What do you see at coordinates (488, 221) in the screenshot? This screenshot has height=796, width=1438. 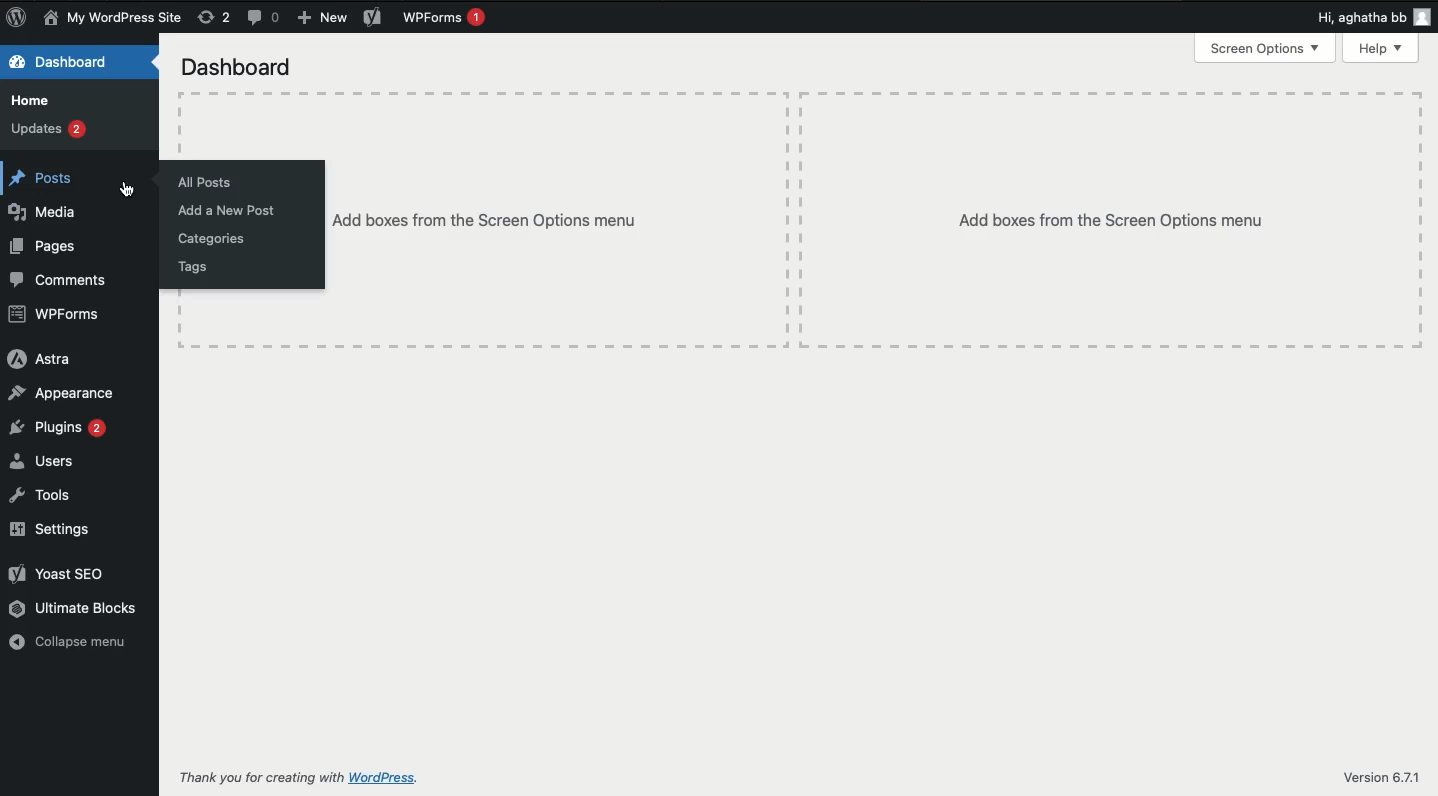 I see `Add boxes from the screen options menu` at bounding box center [488, 221].